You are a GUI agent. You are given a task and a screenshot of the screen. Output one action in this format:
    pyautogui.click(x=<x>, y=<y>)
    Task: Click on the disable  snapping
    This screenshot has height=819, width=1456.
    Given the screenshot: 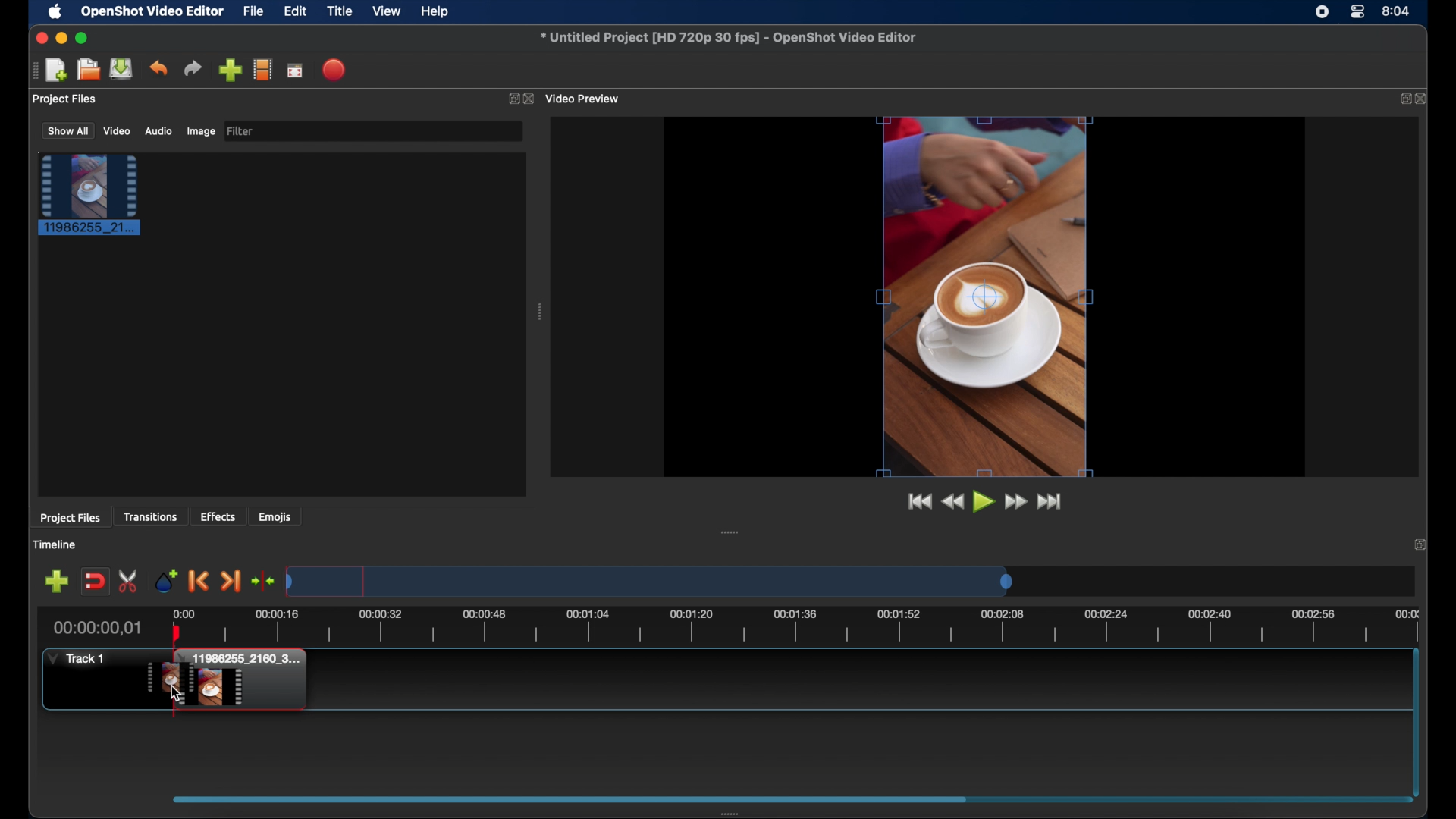 What is the action you would take?
    pyautogui.click(x=94, y=580)
    